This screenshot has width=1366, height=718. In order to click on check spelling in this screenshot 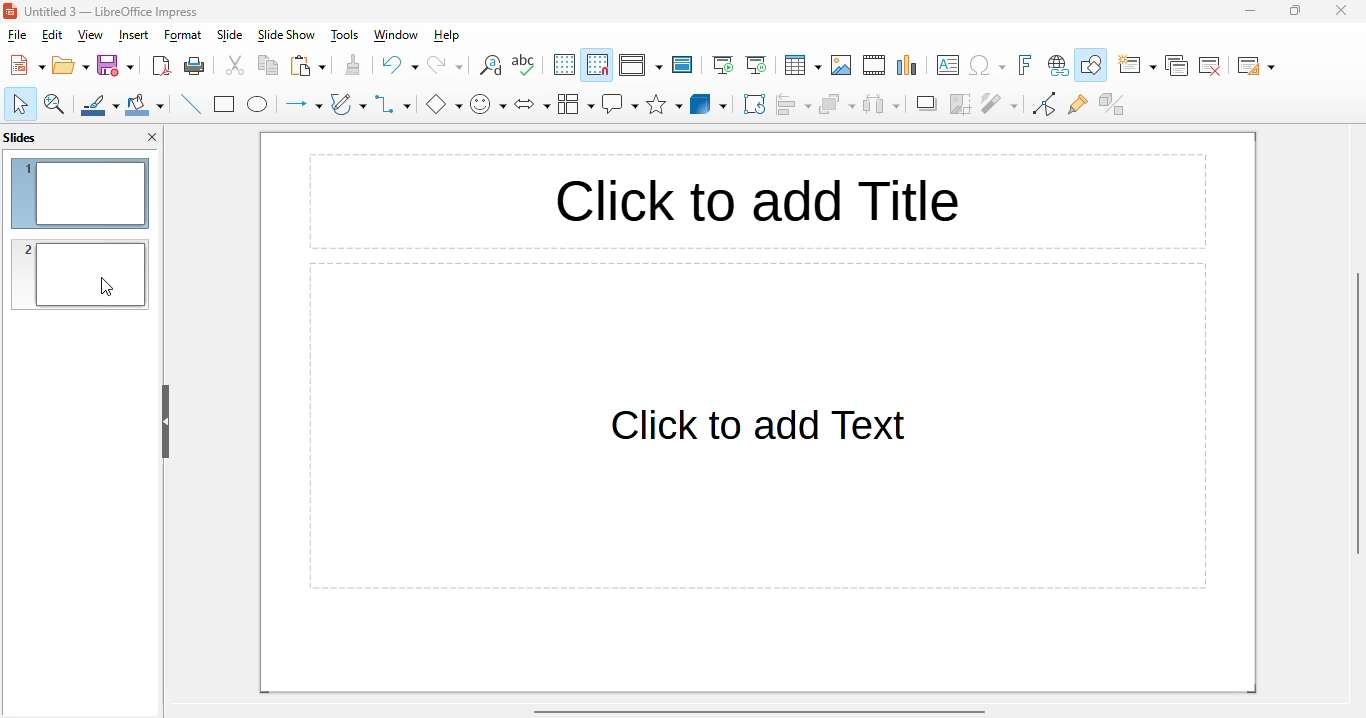, I will do `click(524, 64)`.